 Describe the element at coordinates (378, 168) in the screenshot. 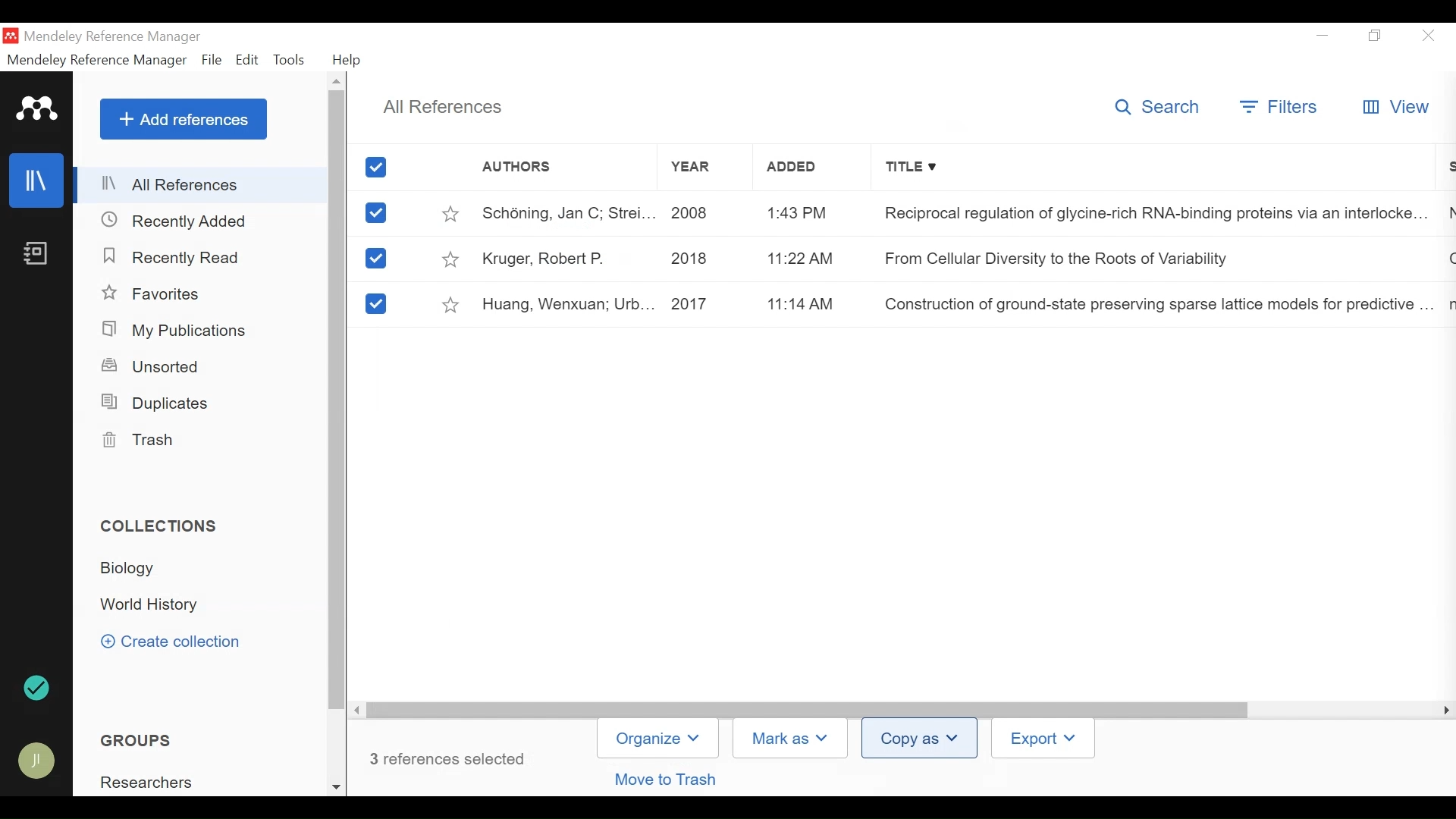

I see `(un)Select all` at that location.